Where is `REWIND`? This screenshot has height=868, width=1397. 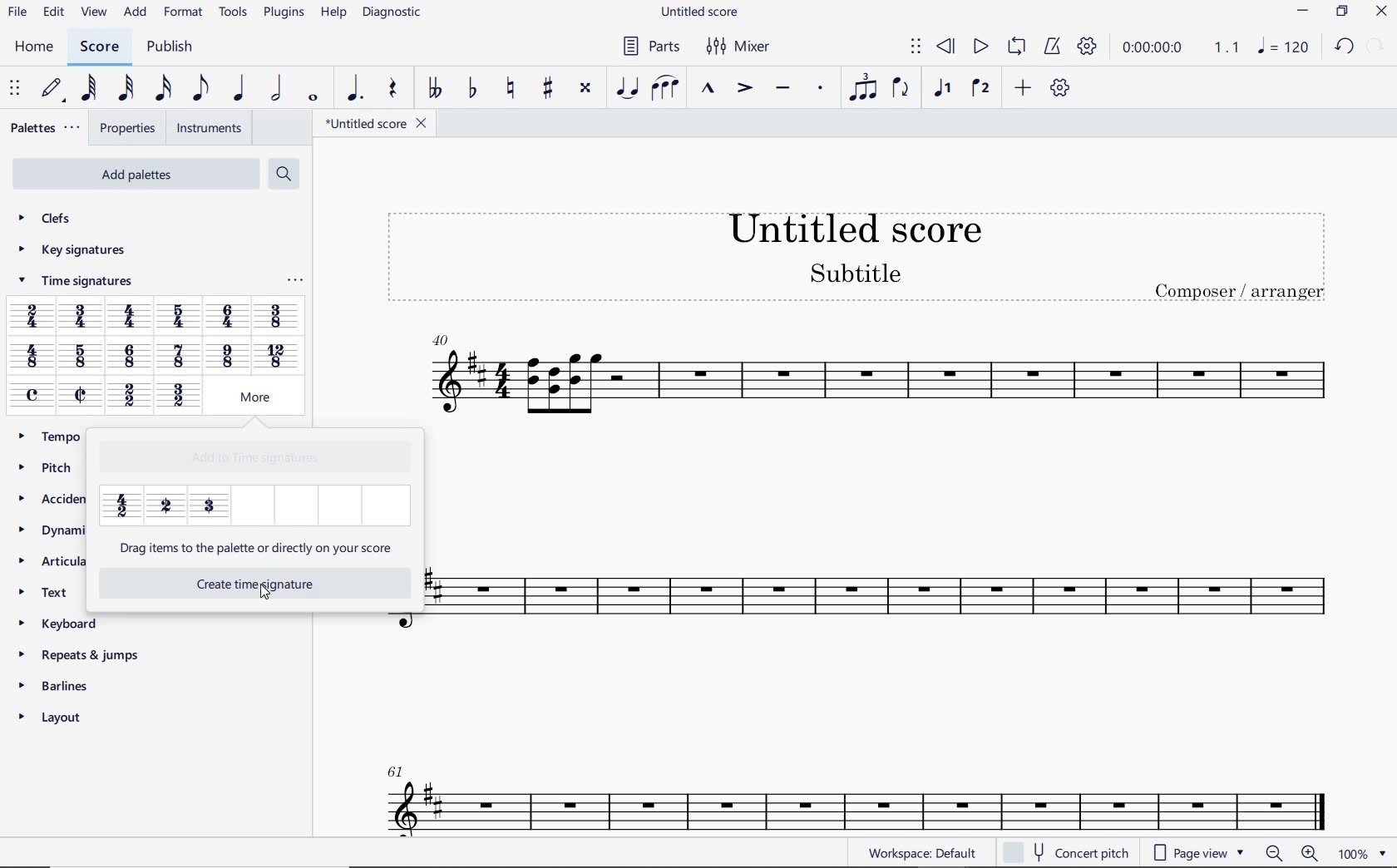
REWIND is located at coordinates (945, 46).